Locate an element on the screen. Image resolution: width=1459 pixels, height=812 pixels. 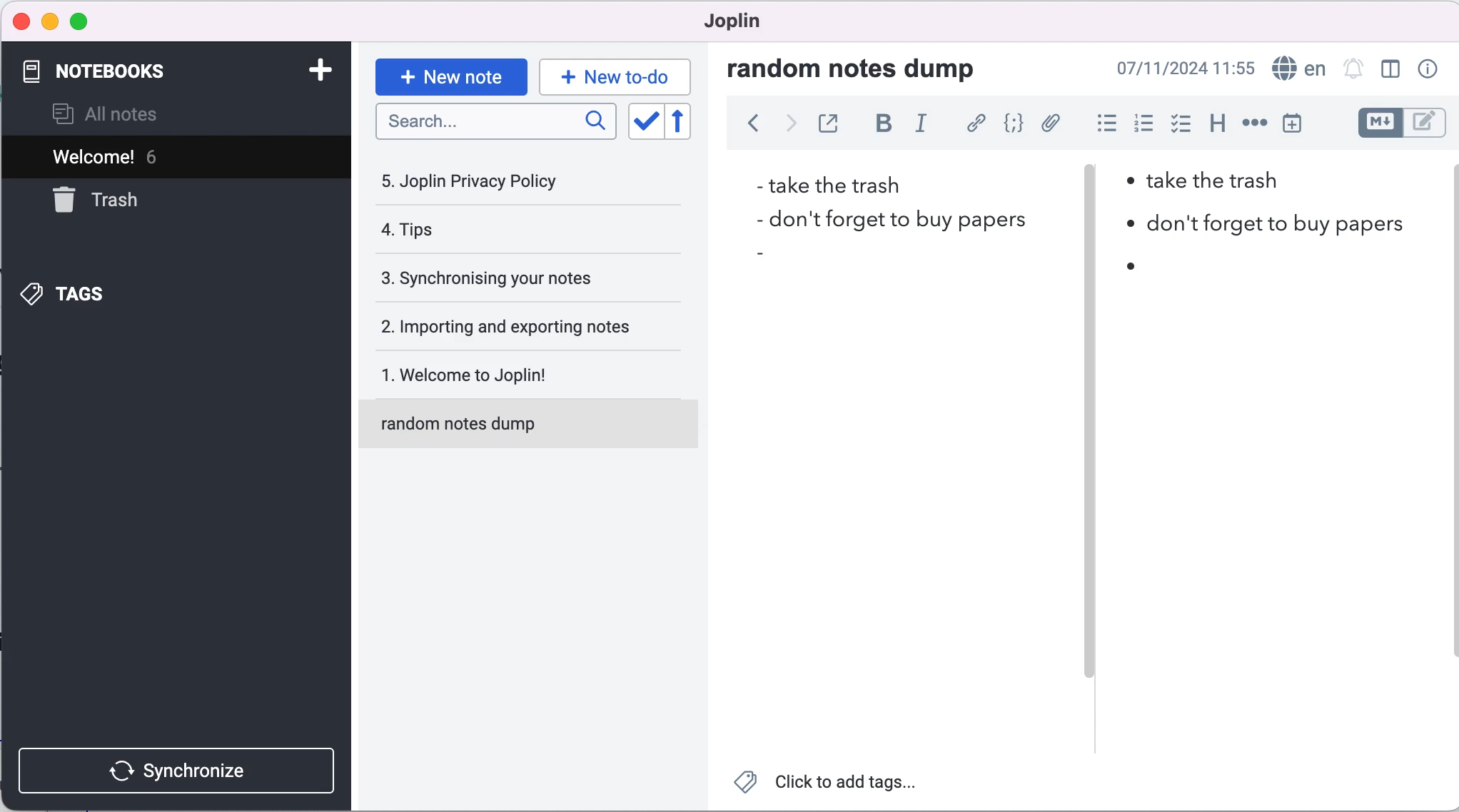
welcome to joplin! is located at coordinates (515, 377).